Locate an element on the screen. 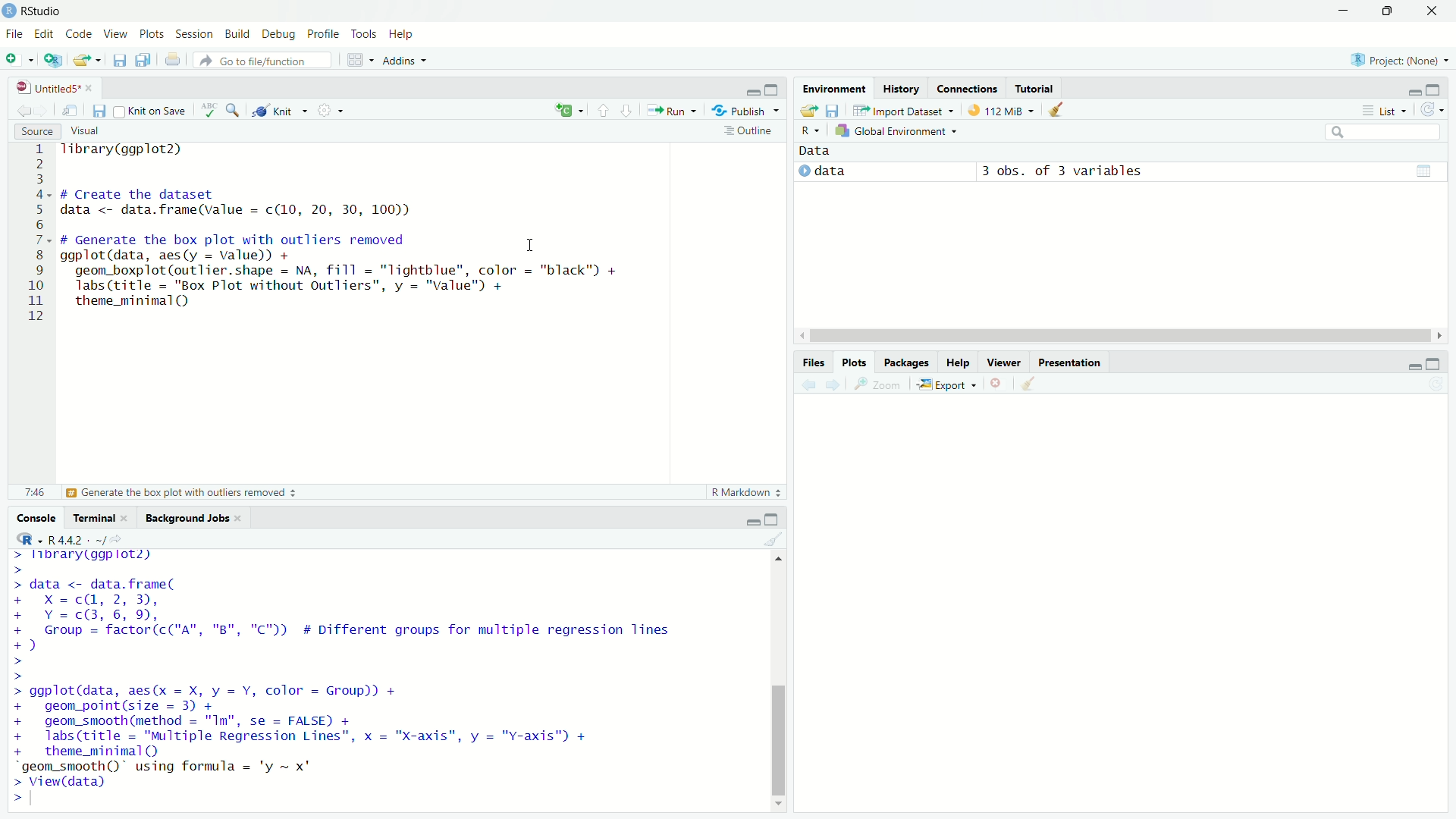  copy is located at coordinates (144, 61).